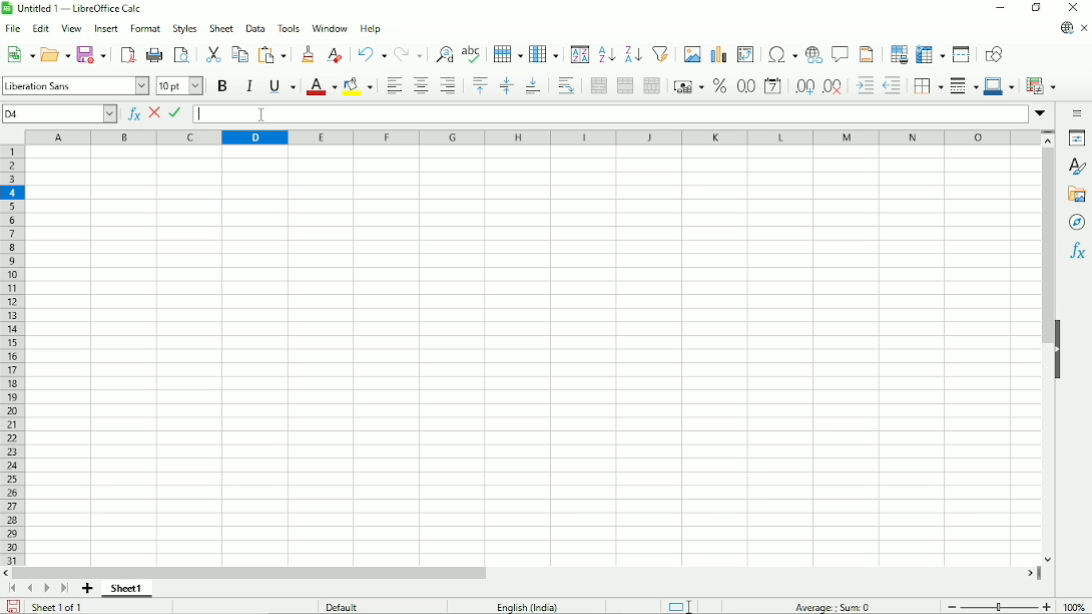 The height and width of the screenshot is (614, 1092). Describe the element at coordinates (833, 86) in the screenshot. I see `Delete decimal place` at that location.